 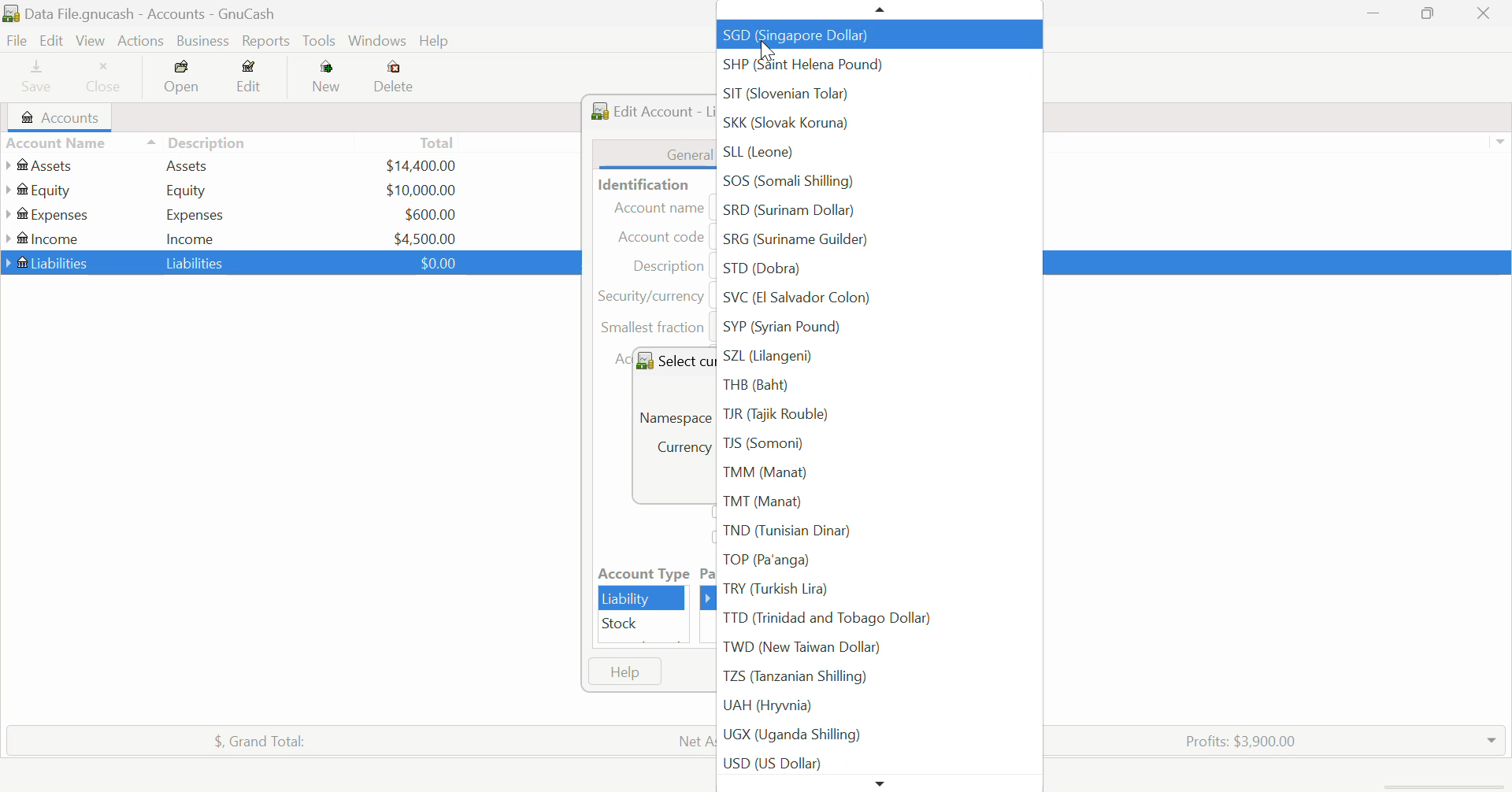 I want to click on Cursor on SGD, so click(x=765, y=45).